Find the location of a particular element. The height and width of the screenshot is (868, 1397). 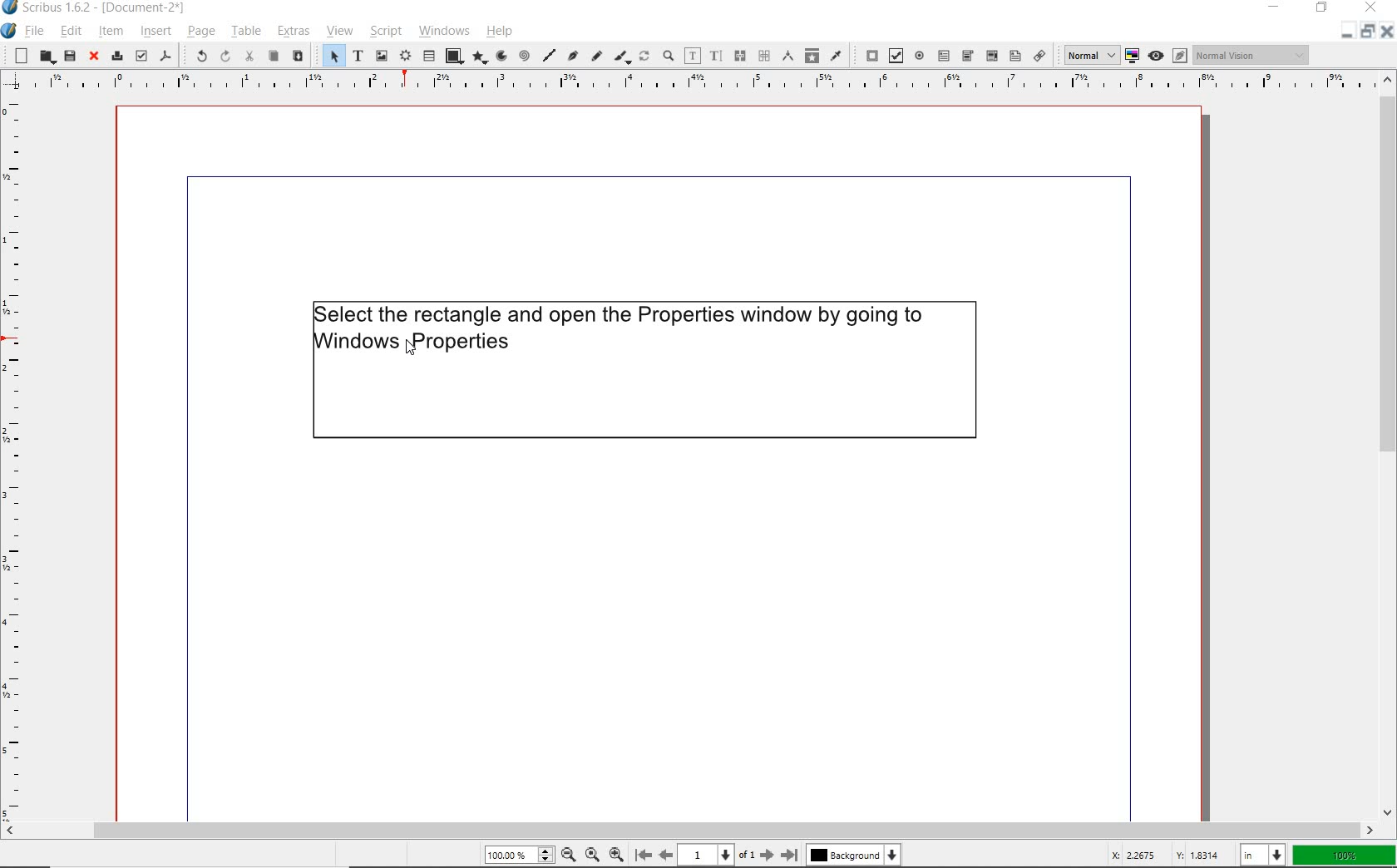

save is located at coordinates (69, 56).